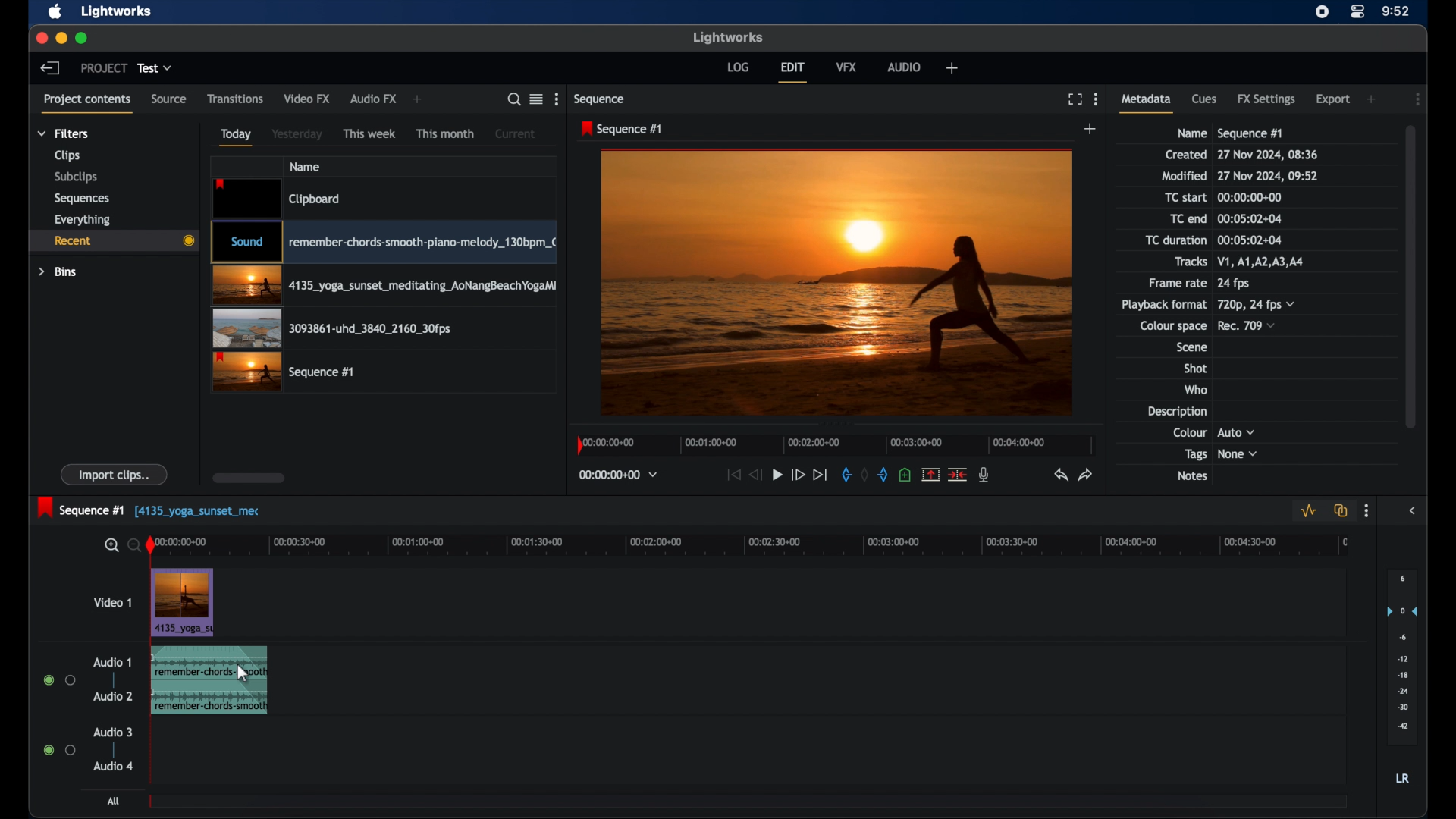 This screenshot has height=819, width=1456. I want to click on notes, so click(1191, 476).